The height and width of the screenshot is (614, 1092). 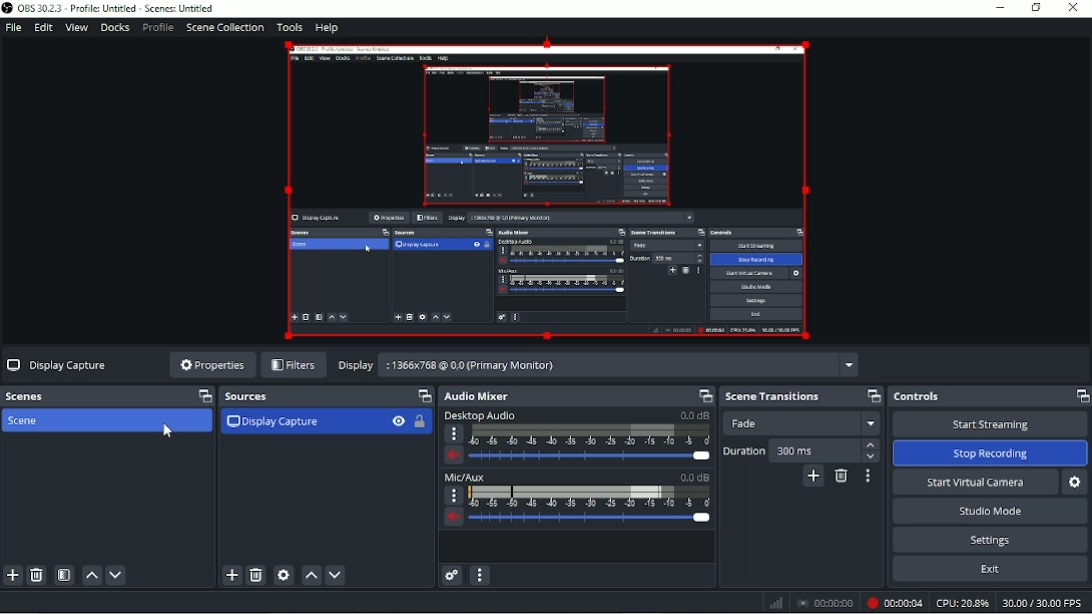 What do you see at coordinates (989, 453) in the screenshot?
I see `Stop Recording` at bounding box center [989, 453].